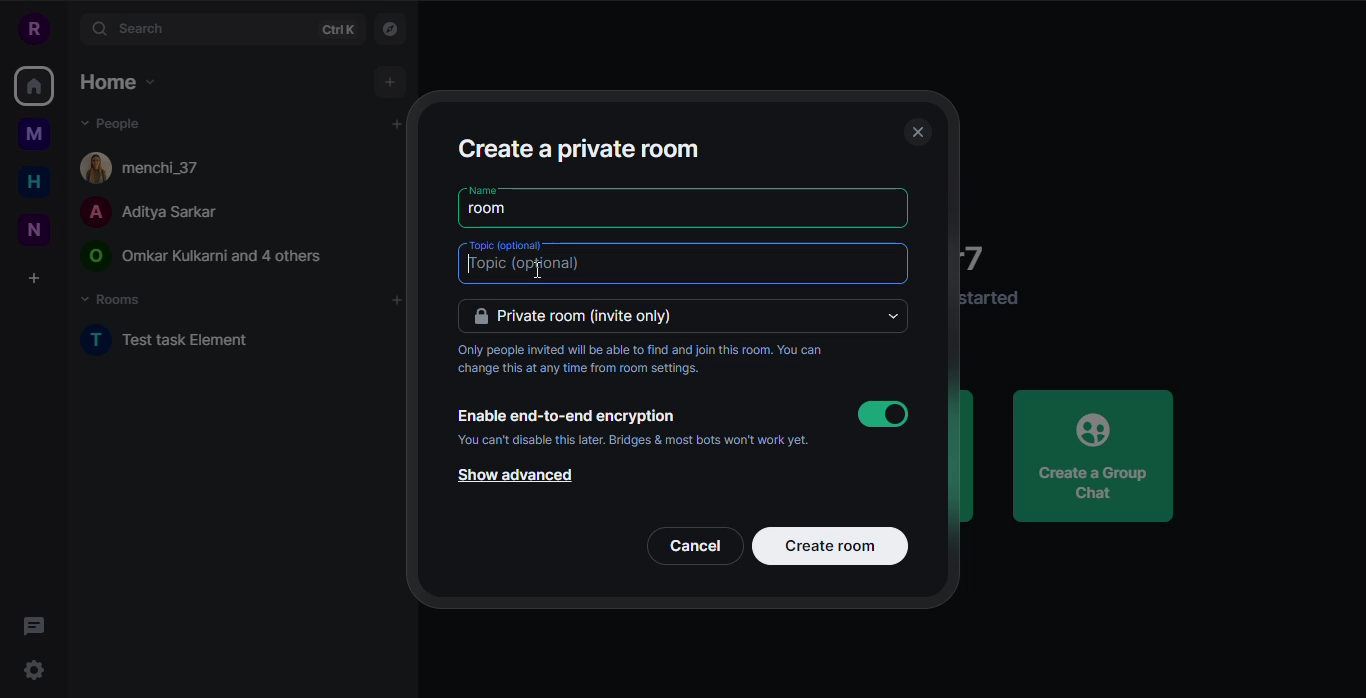 This screenshot has height=698, width=1366. I want to click on info, so click(993, 298).